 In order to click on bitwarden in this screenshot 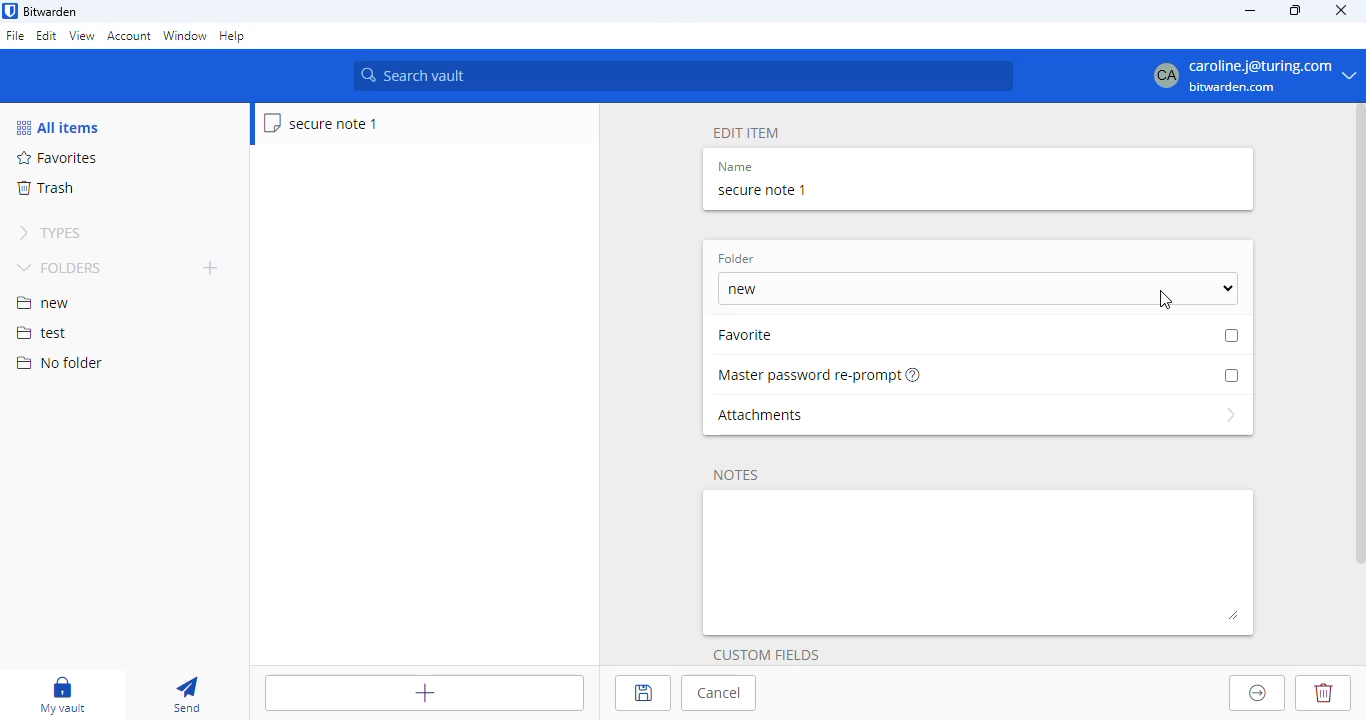, I will do `click(51, 12)`.